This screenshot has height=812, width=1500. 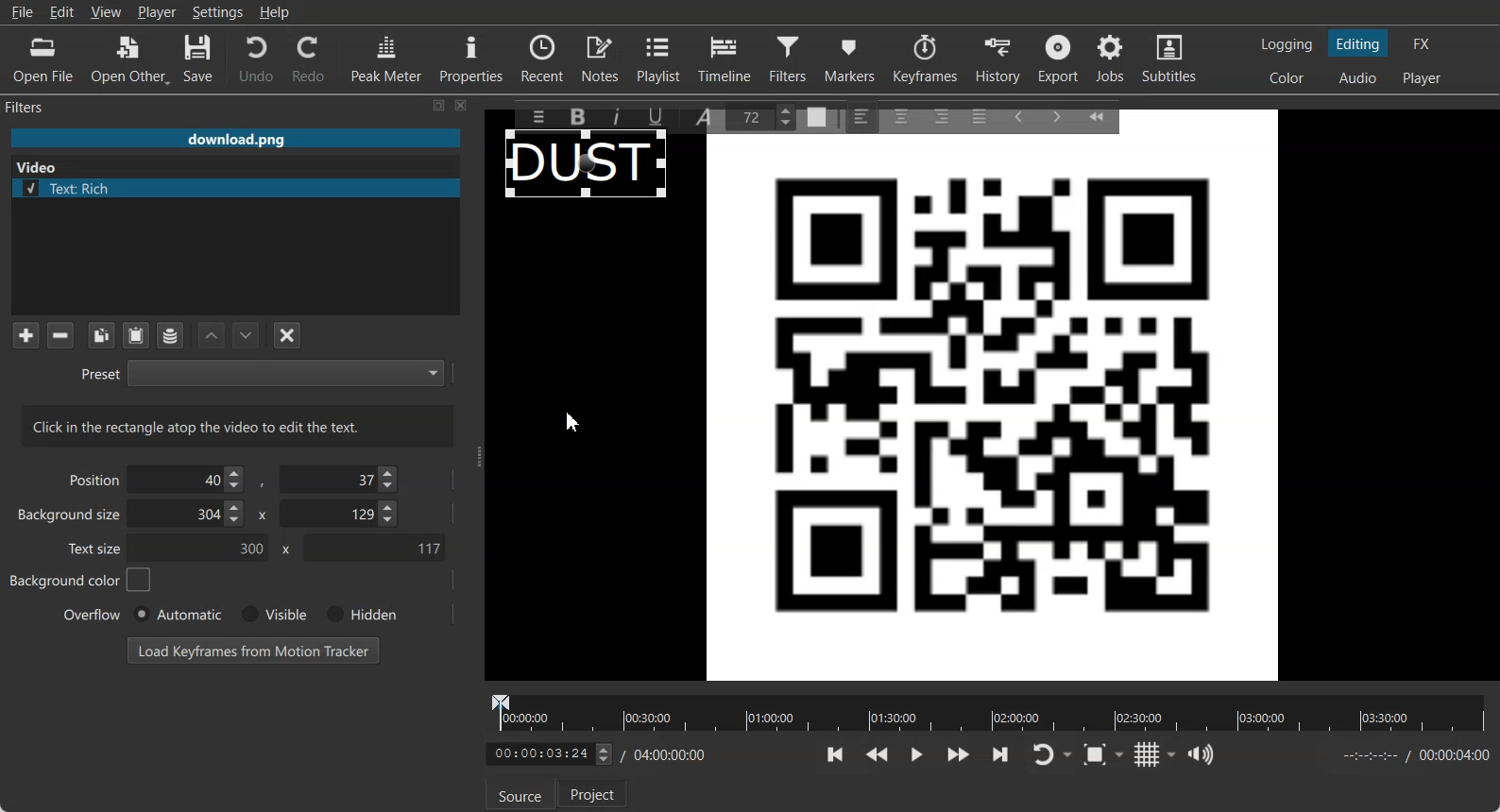 What do you see at coordinates (575, 422) in the screenshot?
I see `Cursor` at bounding box center [575, 422].